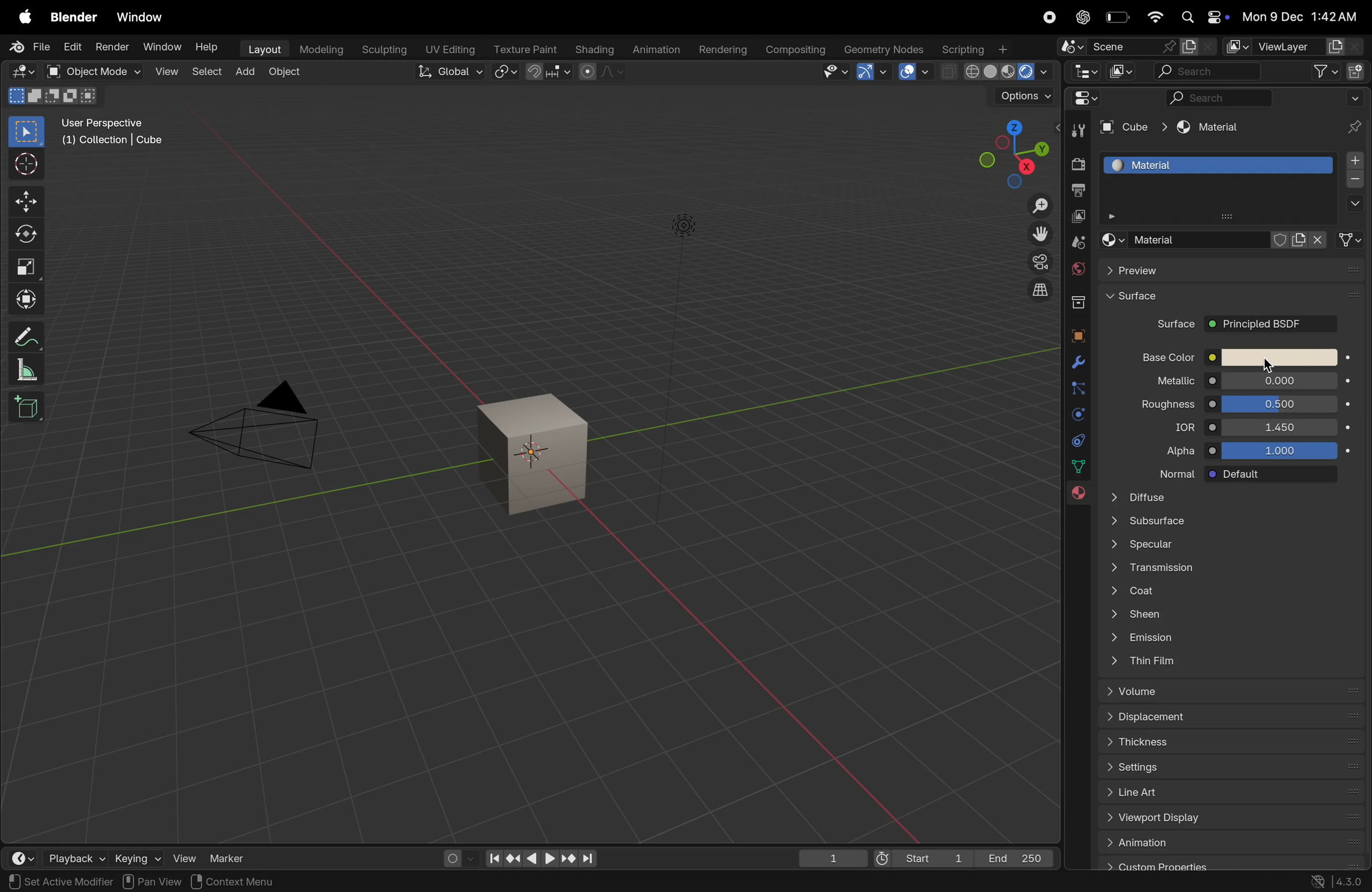 The width and height of the screenshot is (1372, 892). What do you see at coordinates (1354, 97) in the screenshot?
I see `more options` at bounding box center [1354, 97].